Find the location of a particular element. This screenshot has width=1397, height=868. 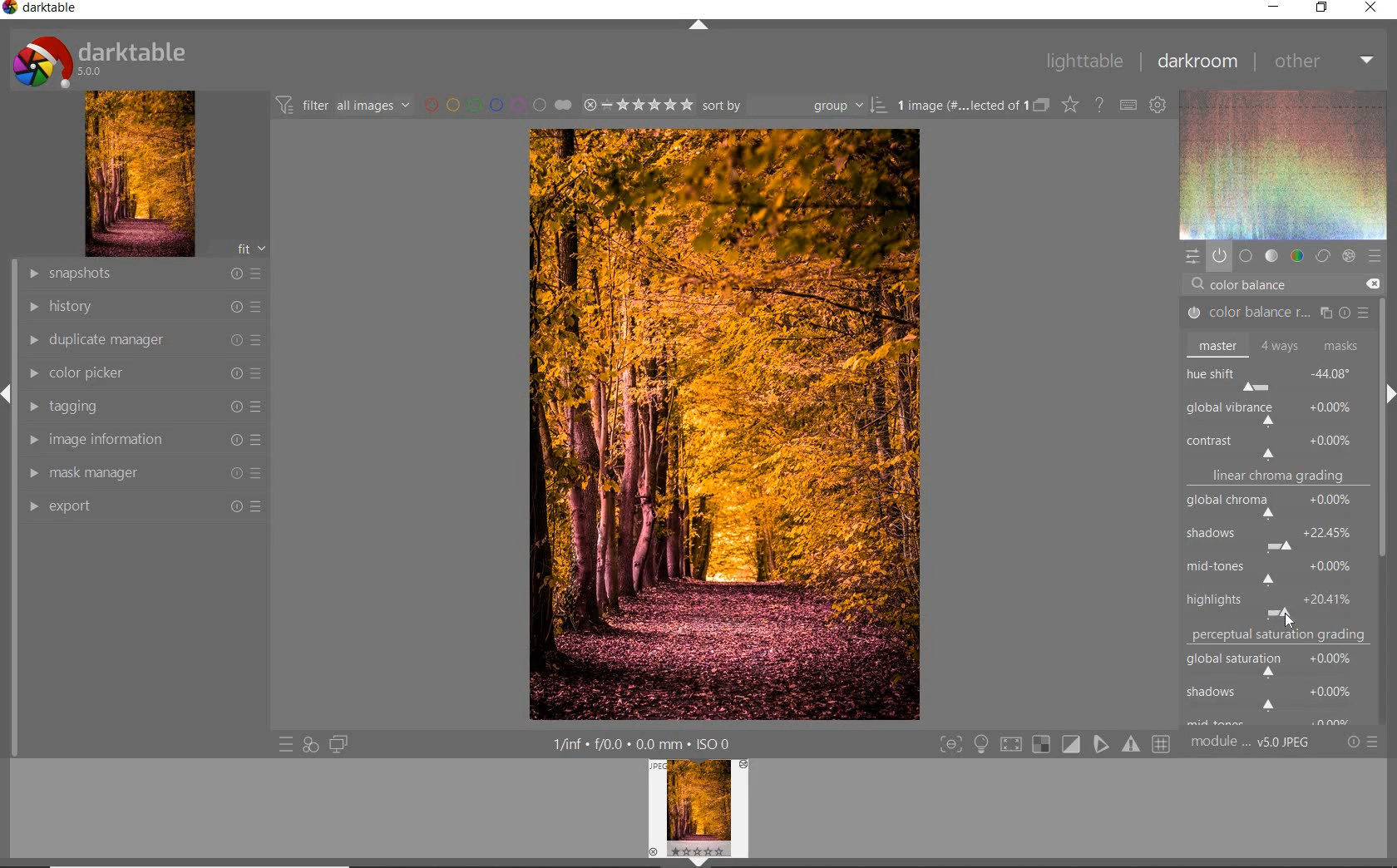

snapshots is located at coordinates (147, 274).